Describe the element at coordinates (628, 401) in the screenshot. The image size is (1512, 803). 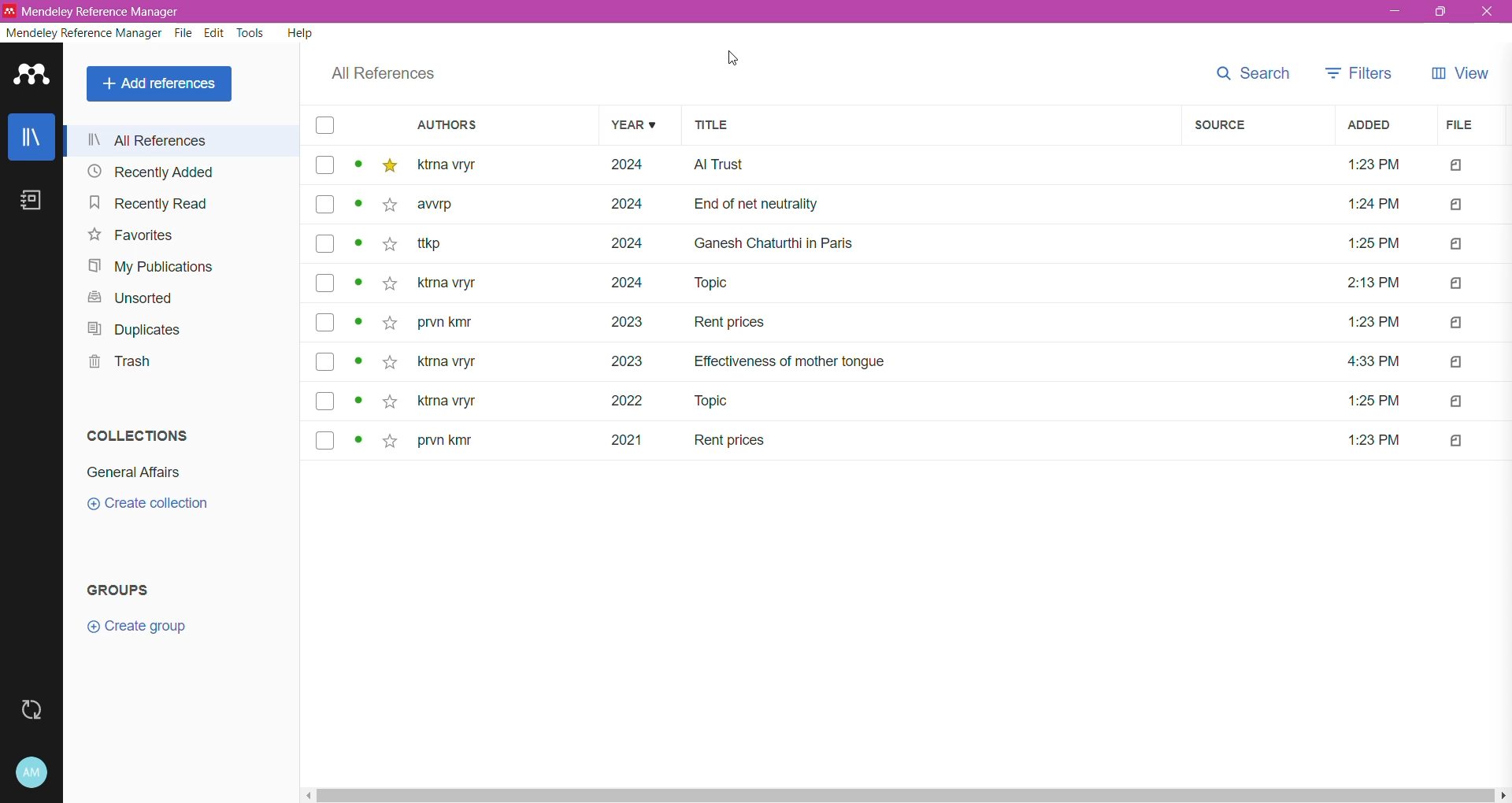
I see `2022` at that location.